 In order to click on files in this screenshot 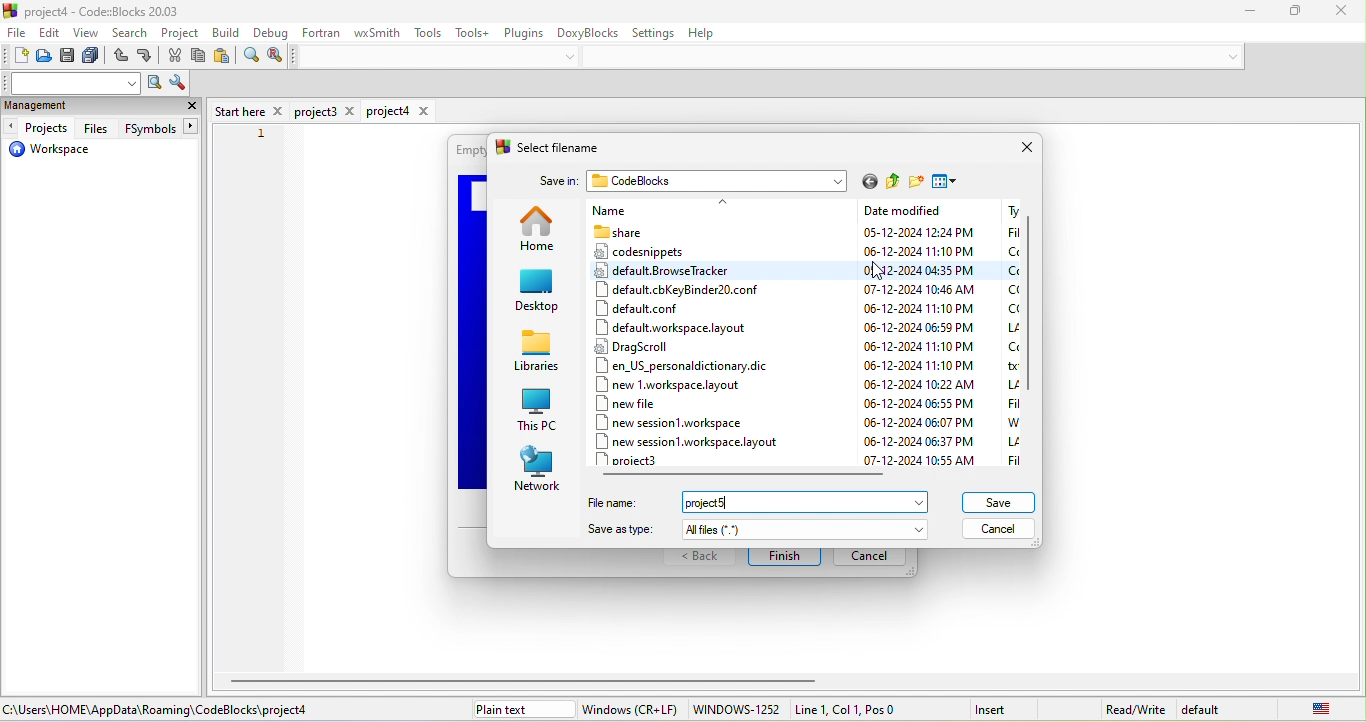, I will do `click(96, 128)`.